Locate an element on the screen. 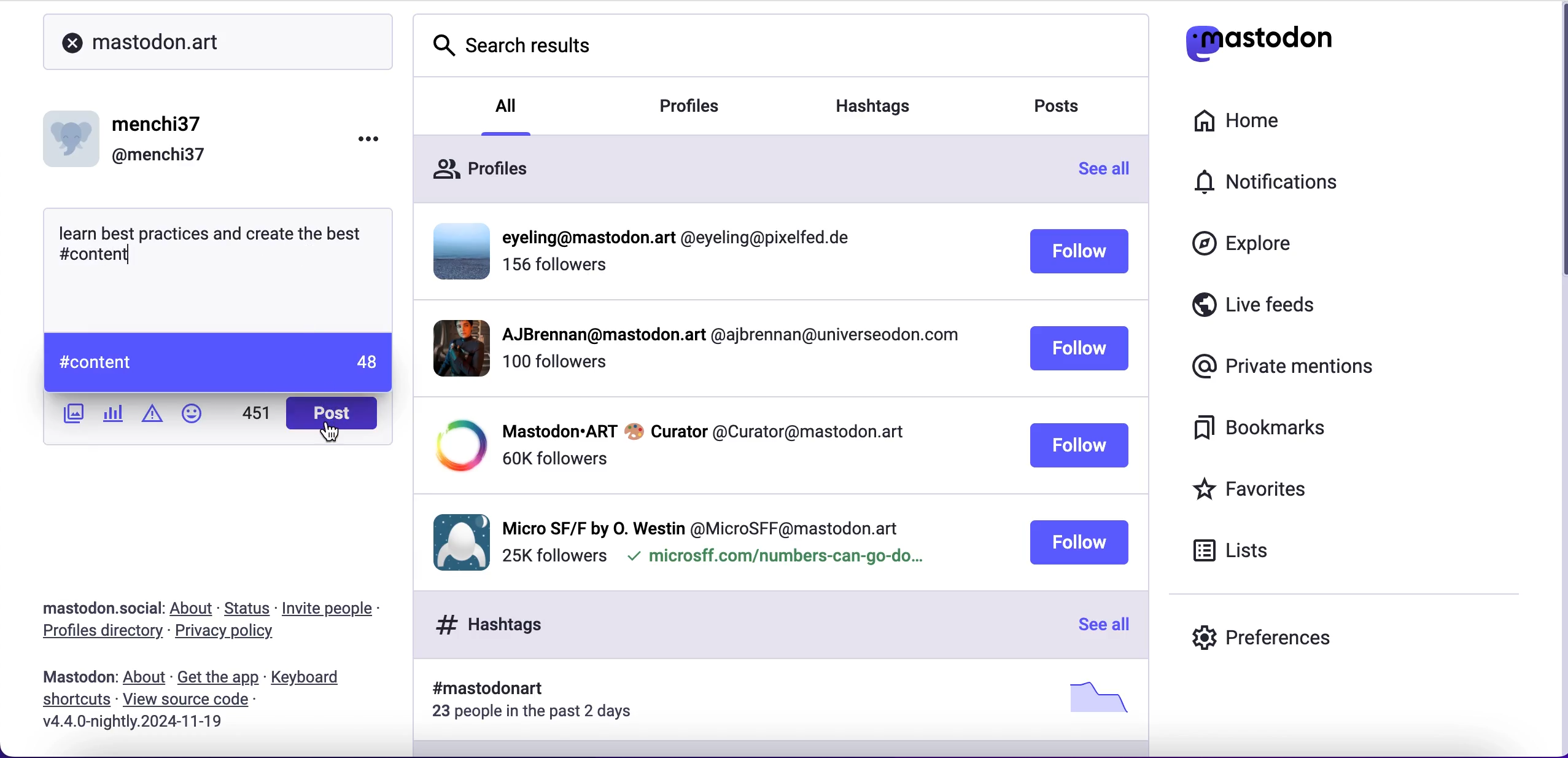 The image size is (1568, 758). add image is located at coordinates (71, 415).